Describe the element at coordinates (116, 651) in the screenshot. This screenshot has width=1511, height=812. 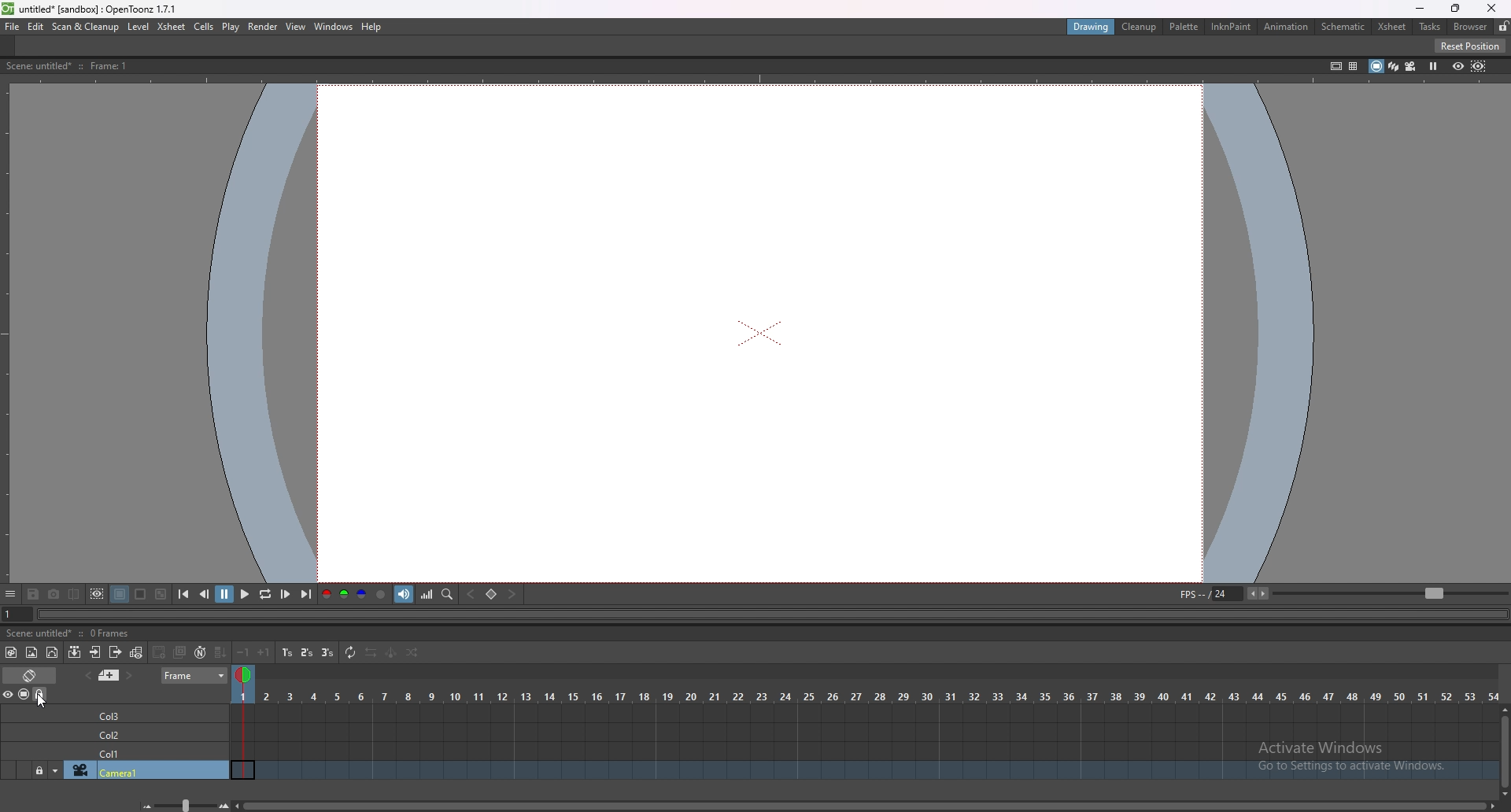
I see `close sub xsheet` at that location.